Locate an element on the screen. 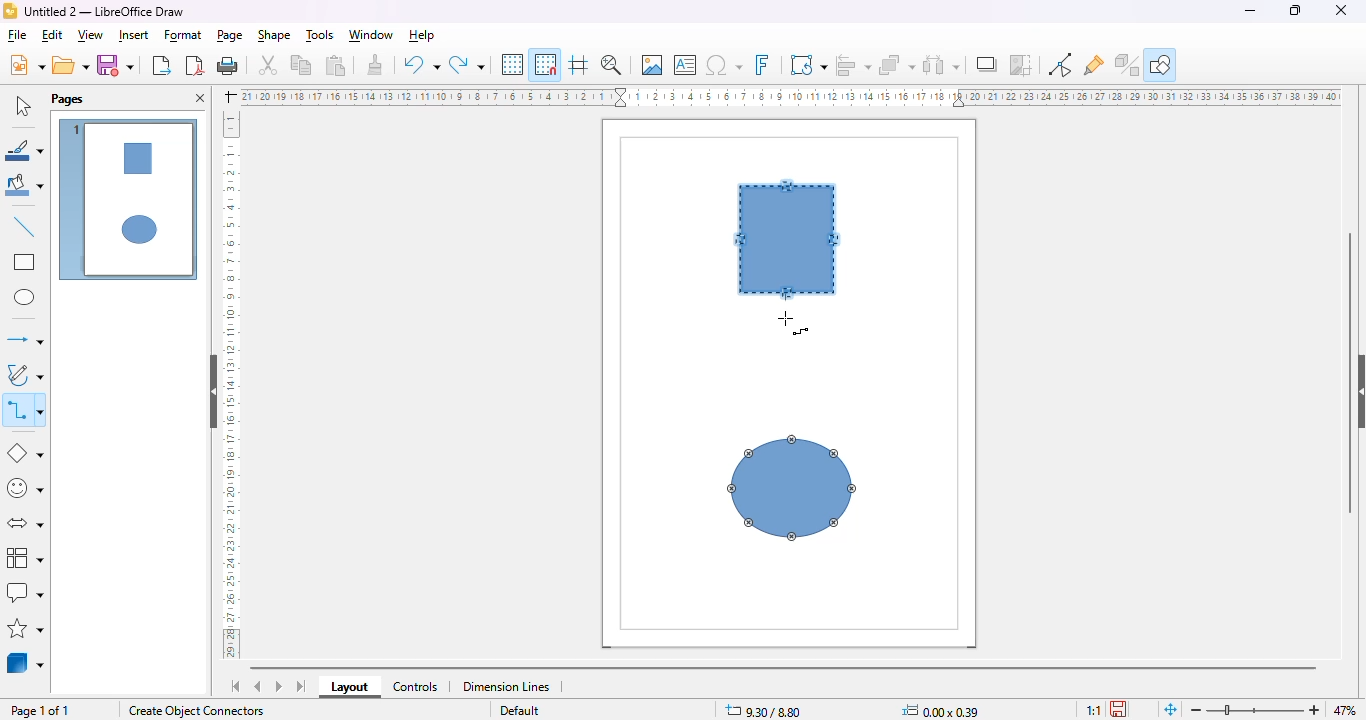 Image resolution: width=1366 pixels, height=720 pixels. insert is located at coordinates (133, 35).